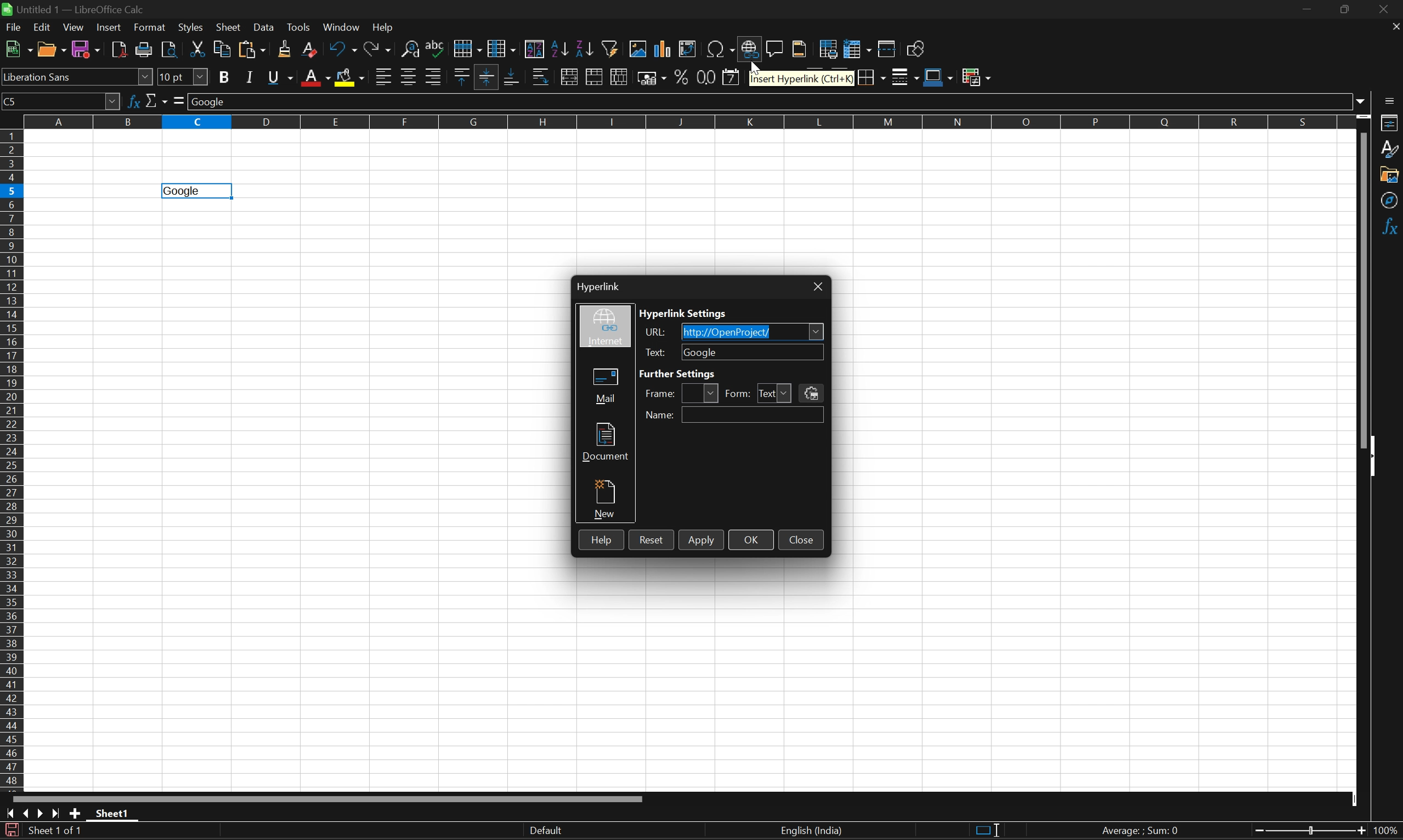 The height and width of the screenshot is (840, 1403). I want to click on Mail, so click(605, 387).